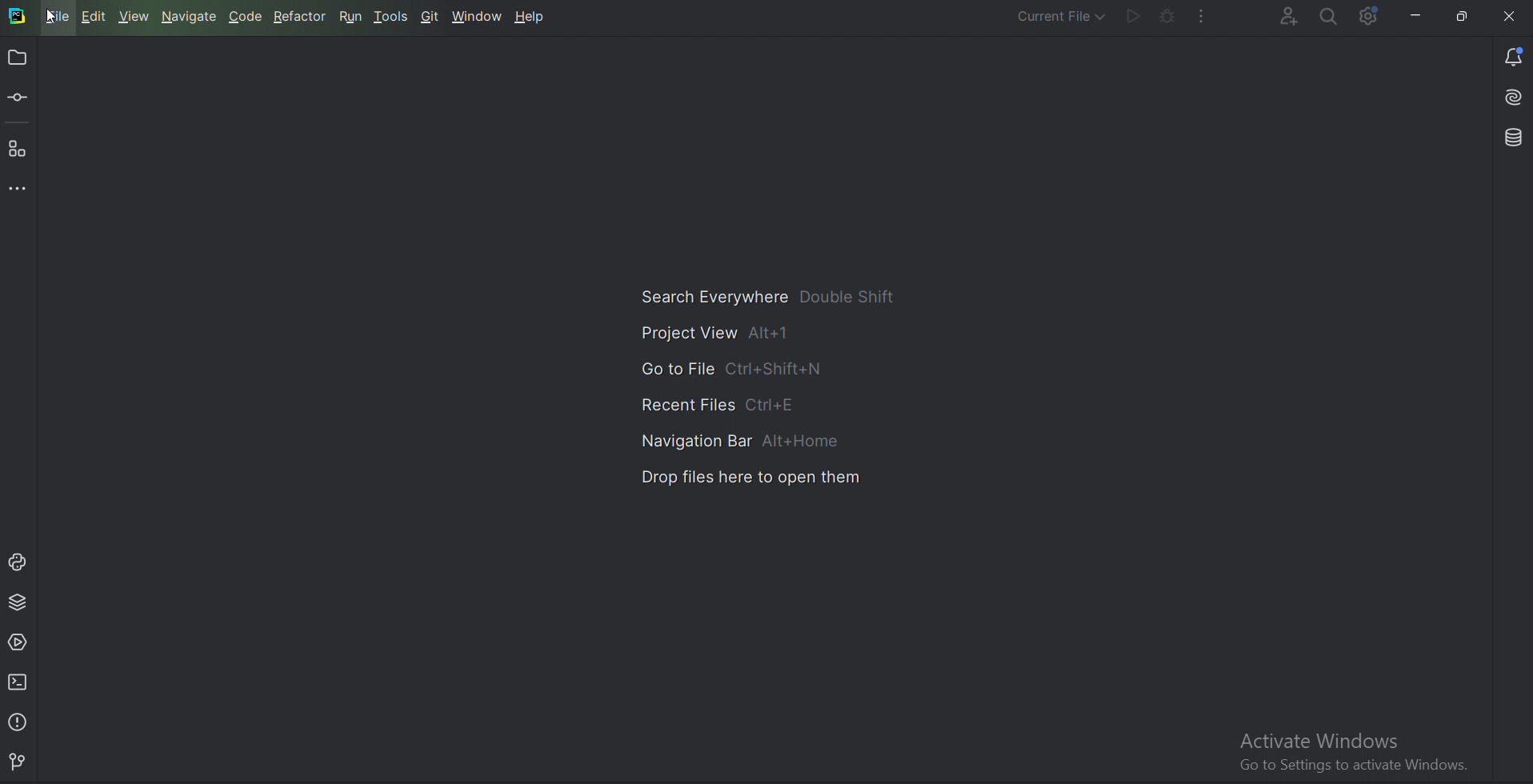 The width and height of the screenshot is (1533, 784). I want to click on Navigation Bar Alt+Home, so click(749, 442).